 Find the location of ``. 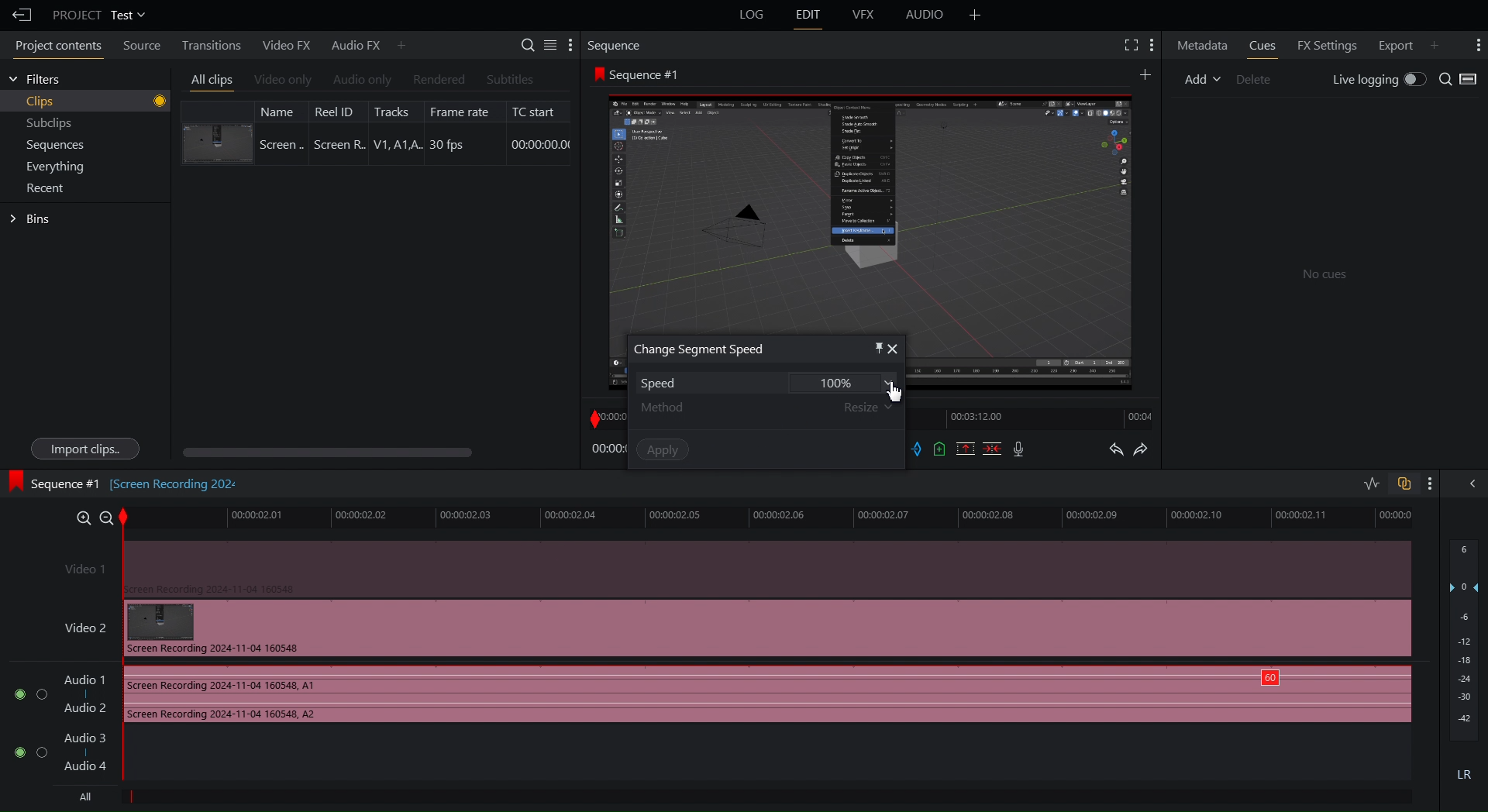

 is located at coordinates (60, 166).